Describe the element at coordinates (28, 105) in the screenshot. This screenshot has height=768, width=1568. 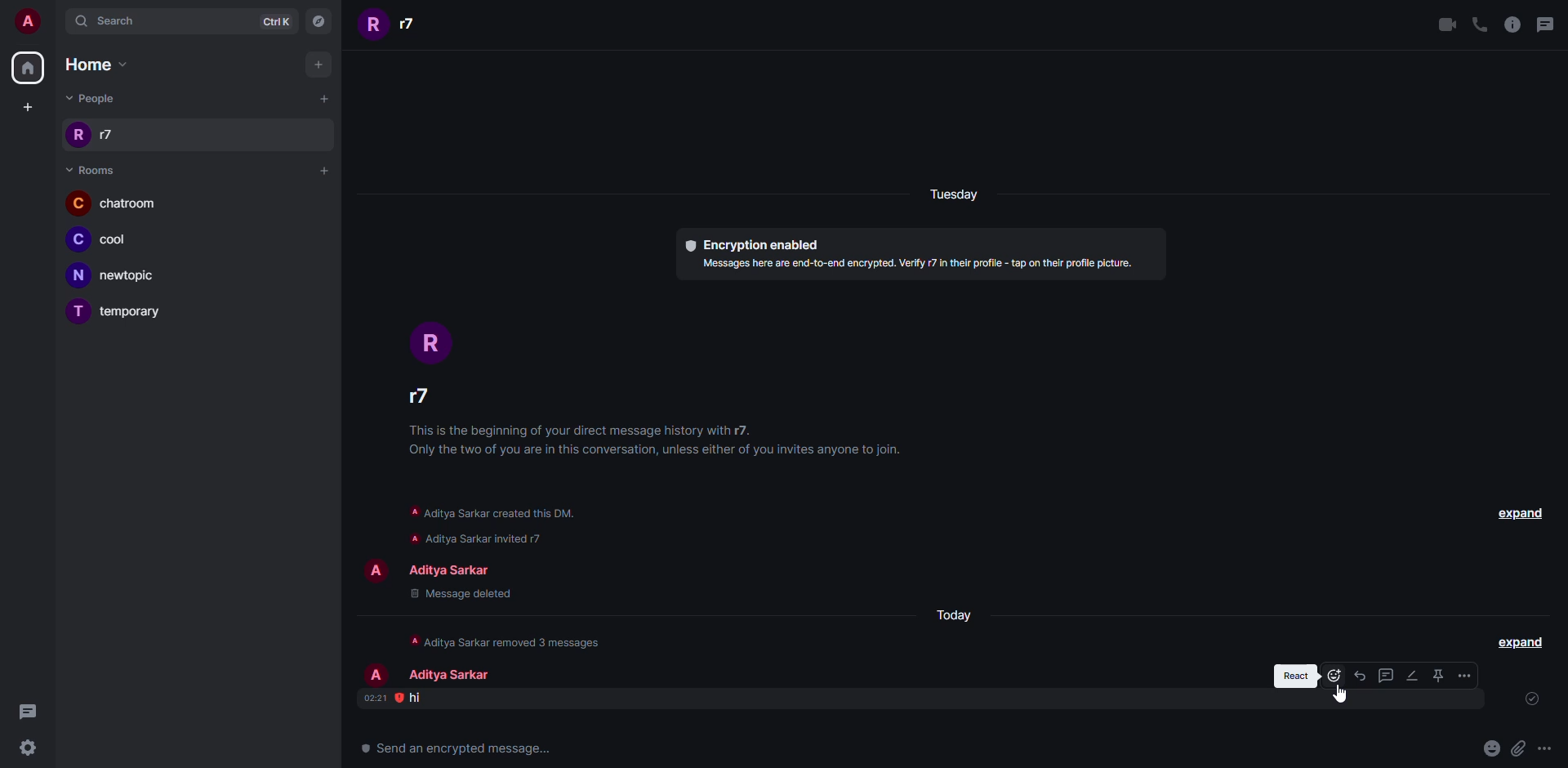
I see `create space` at that location.